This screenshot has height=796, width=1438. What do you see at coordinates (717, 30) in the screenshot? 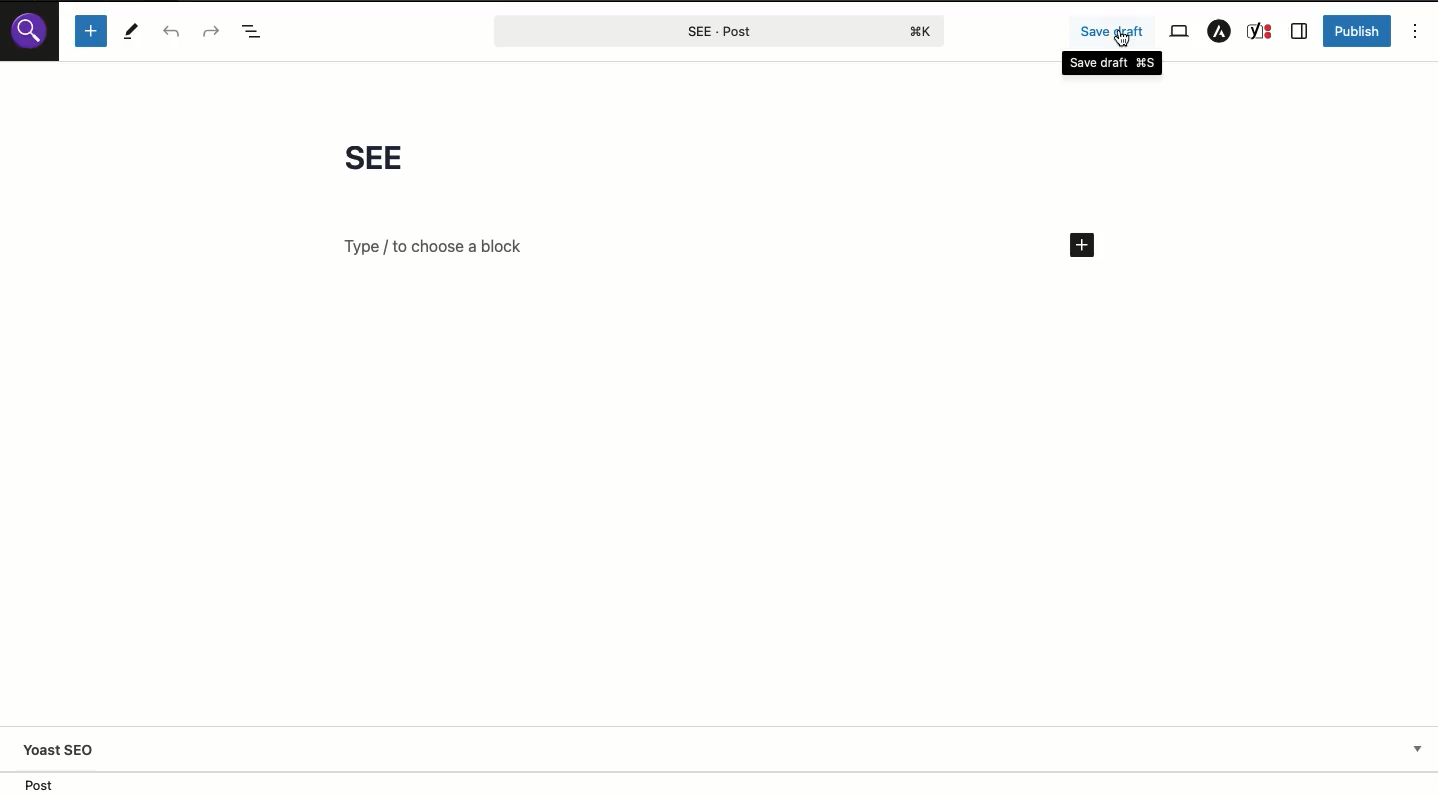
I see `Post` at bounding box center [717, 30].